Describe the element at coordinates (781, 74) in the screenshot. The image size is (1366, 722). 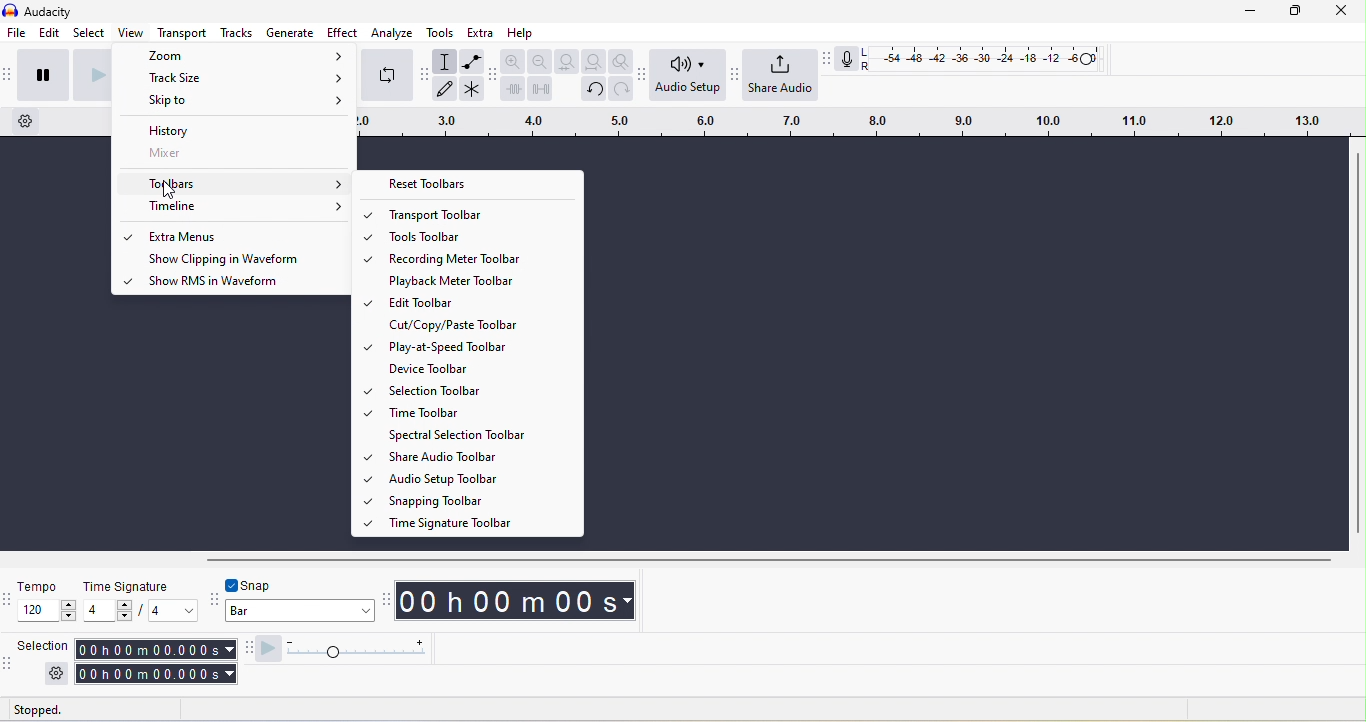
I see `share audio` at that location.